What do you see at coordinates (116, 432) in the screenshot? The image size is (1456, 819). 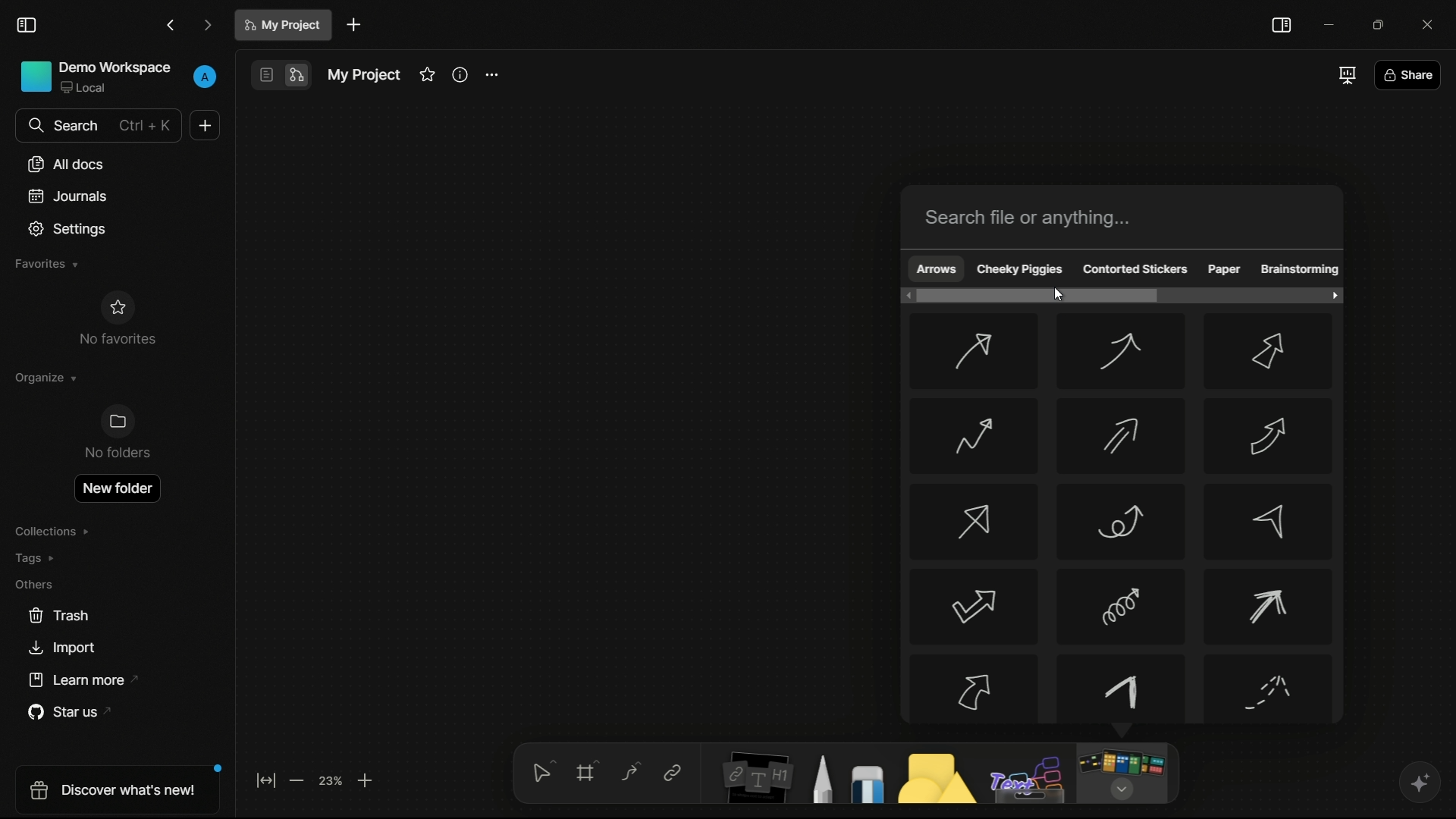 I see `no folders` at bounding box center [116, 432].